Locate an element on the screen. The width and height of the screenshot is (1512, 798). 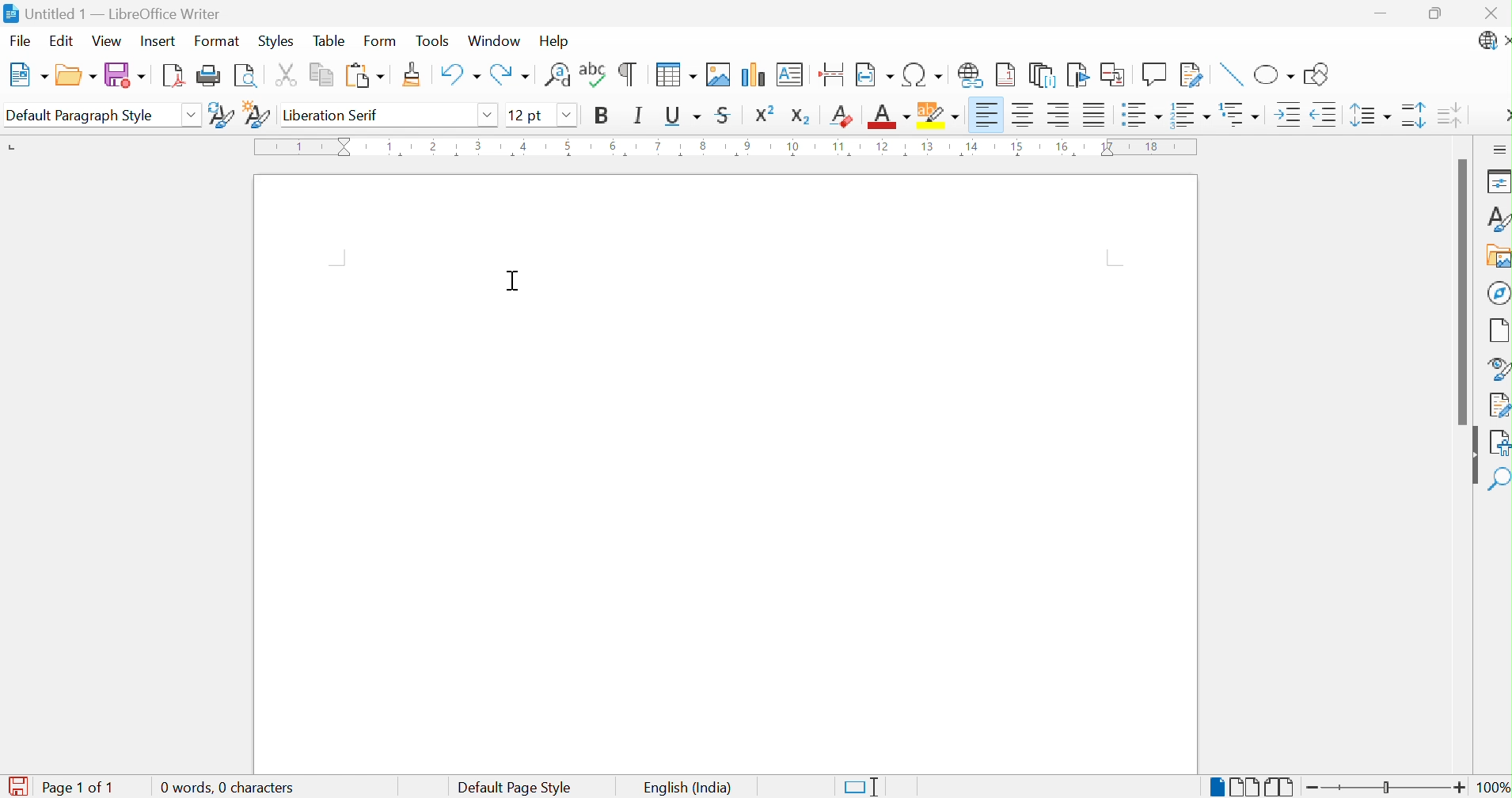
Navigator is located at coordinates (1498, 292).